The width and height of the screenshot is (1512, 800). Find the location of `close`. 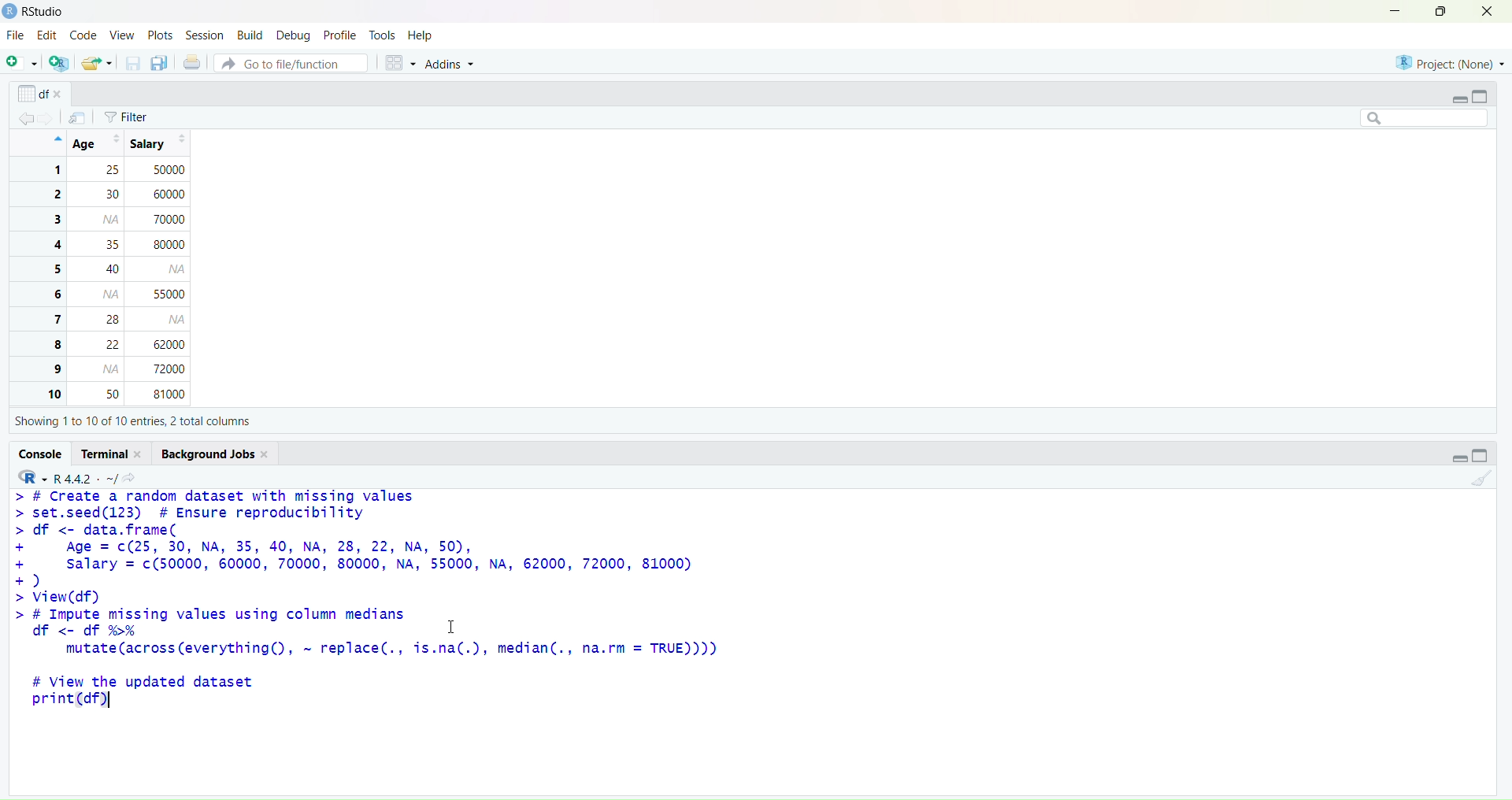

close is located at coordinates (1485, 13).